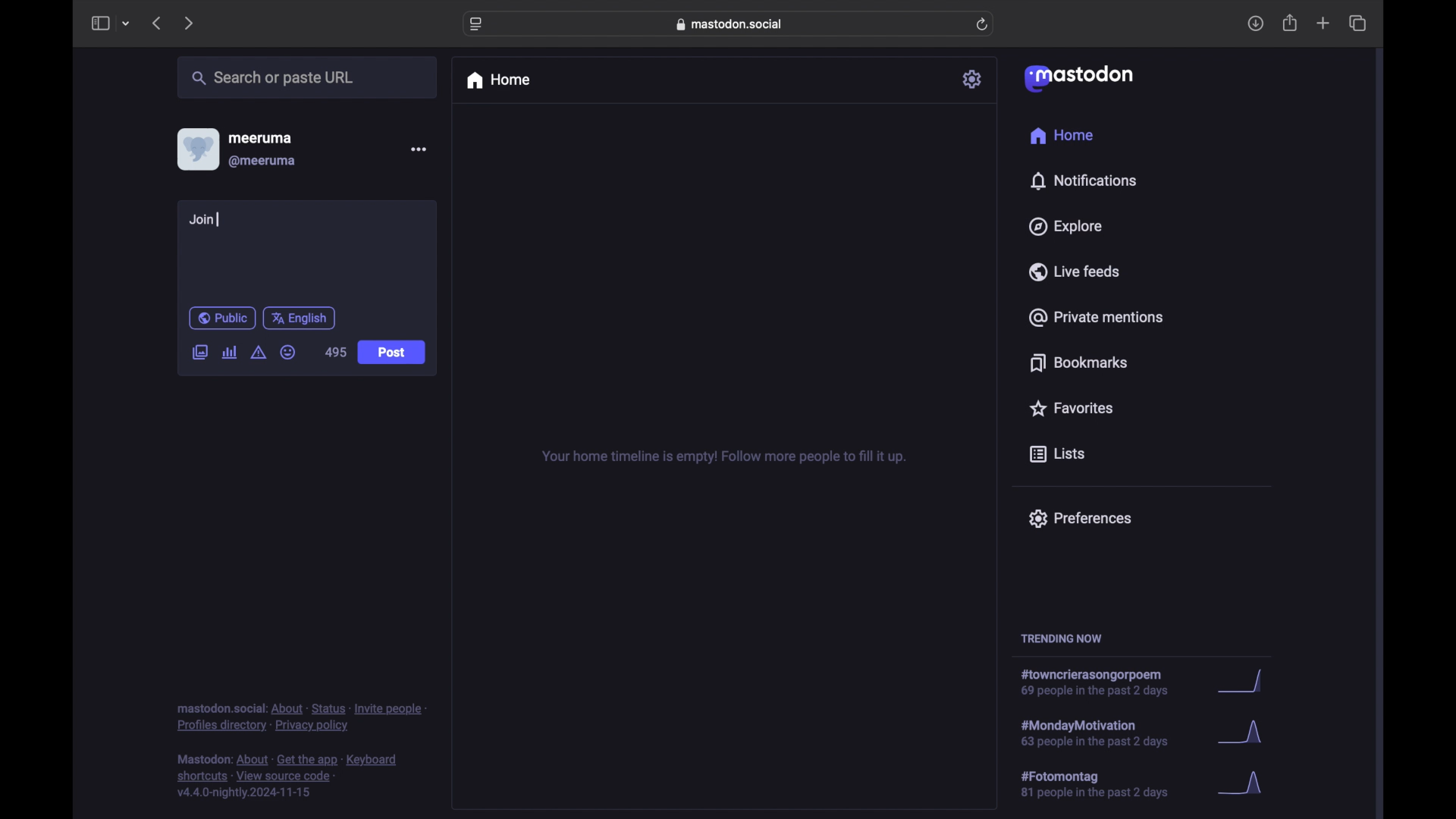 This screenshot has width=1456, height=819. What do you see at coordinates (260, 137) in the screenshot?
I see `meeruma` at bounding box center [260, 137].